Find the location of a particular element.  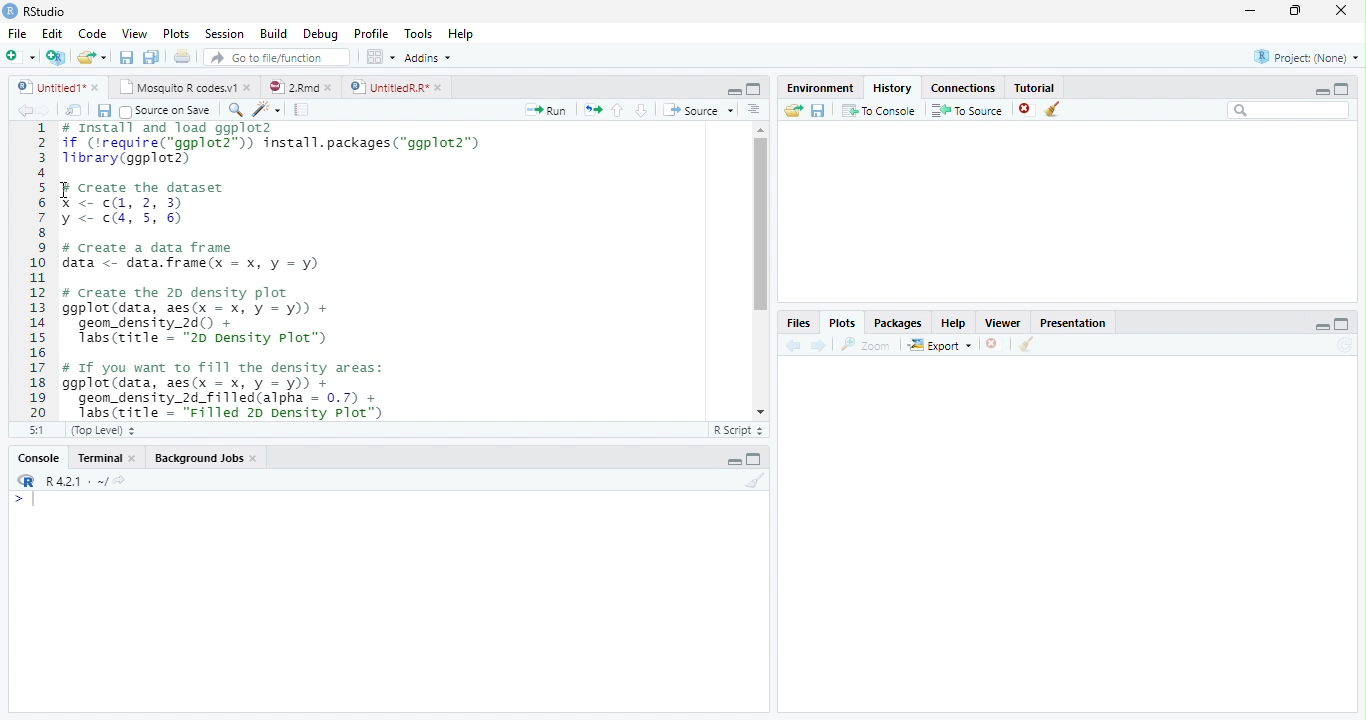

maximize is located at coordinates (756, 459).